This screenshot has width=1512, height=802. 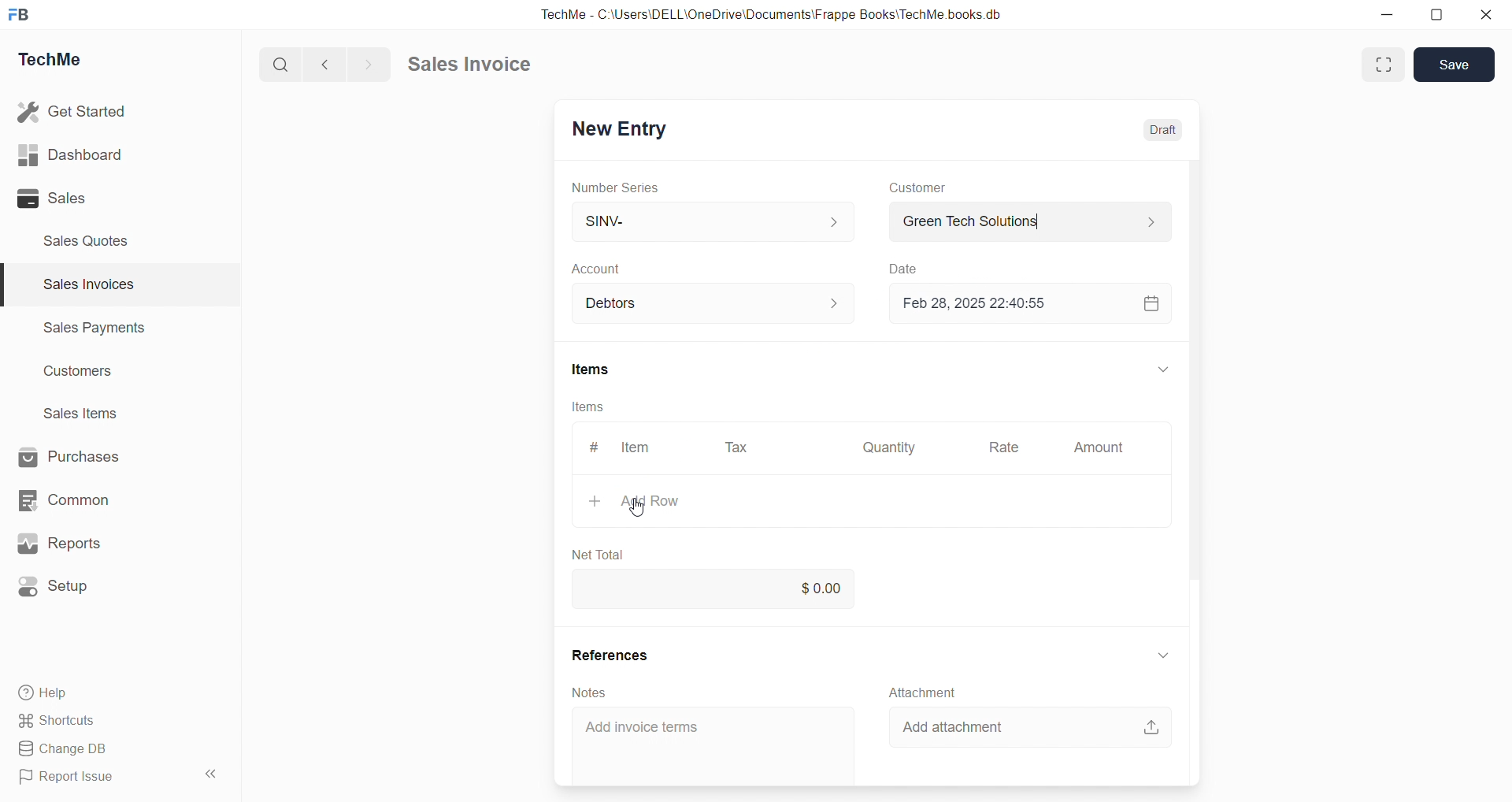 I want to click on Date, so click(x=902, y=268).